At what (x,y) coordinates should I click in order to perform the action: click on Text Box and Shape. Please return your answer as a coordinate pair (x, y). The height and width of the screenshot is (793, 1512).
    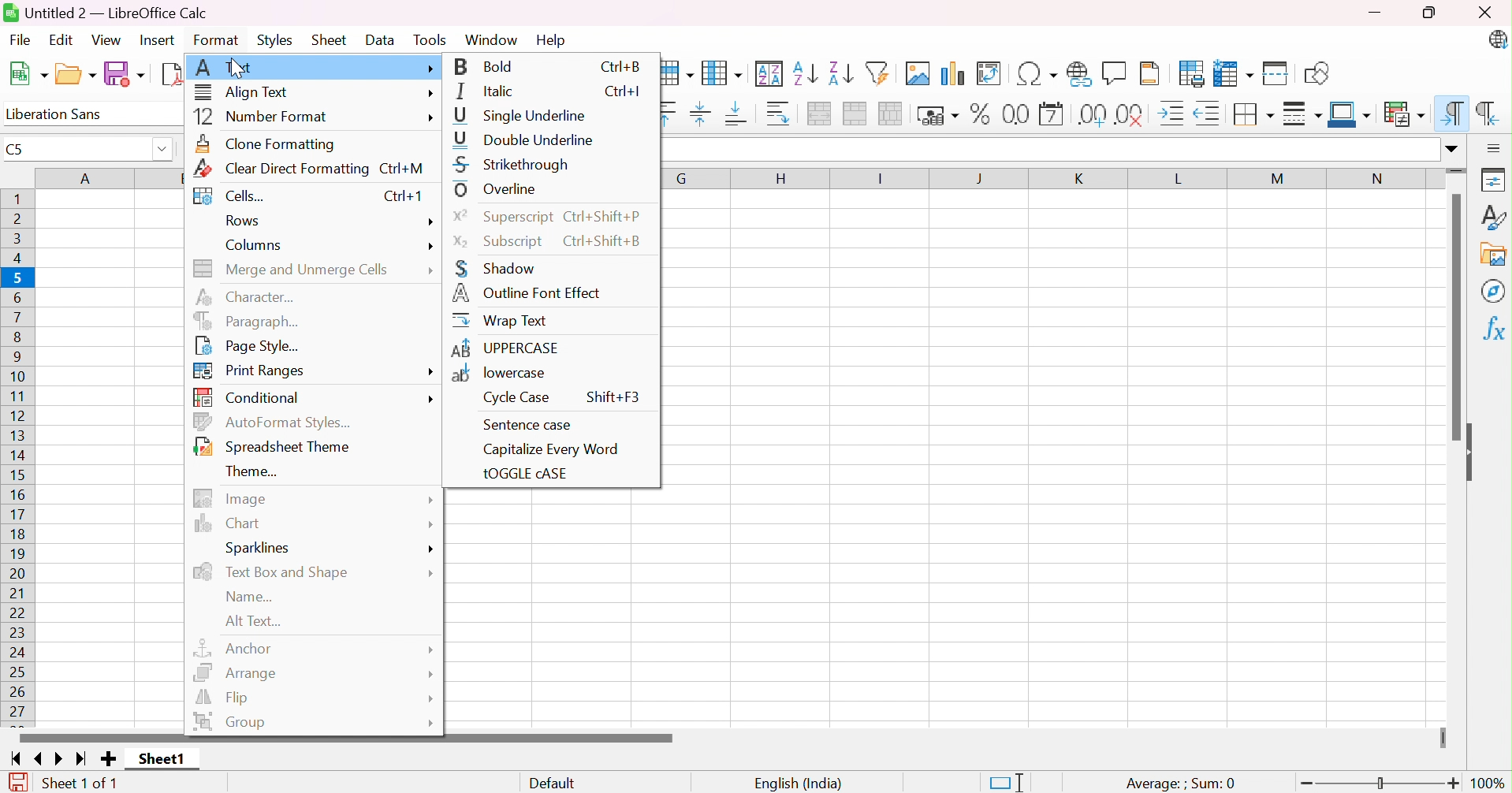
    Looking at the image, I should click on (274, 572).